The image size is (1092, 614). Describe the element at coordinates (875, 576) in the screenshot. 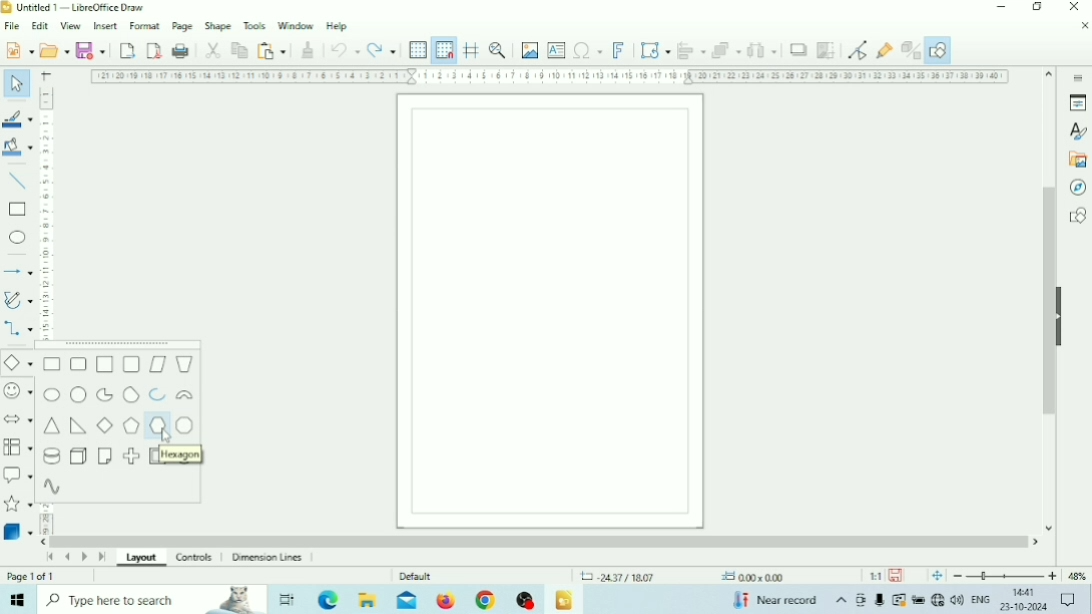

I see `Scaling factor` at that location.